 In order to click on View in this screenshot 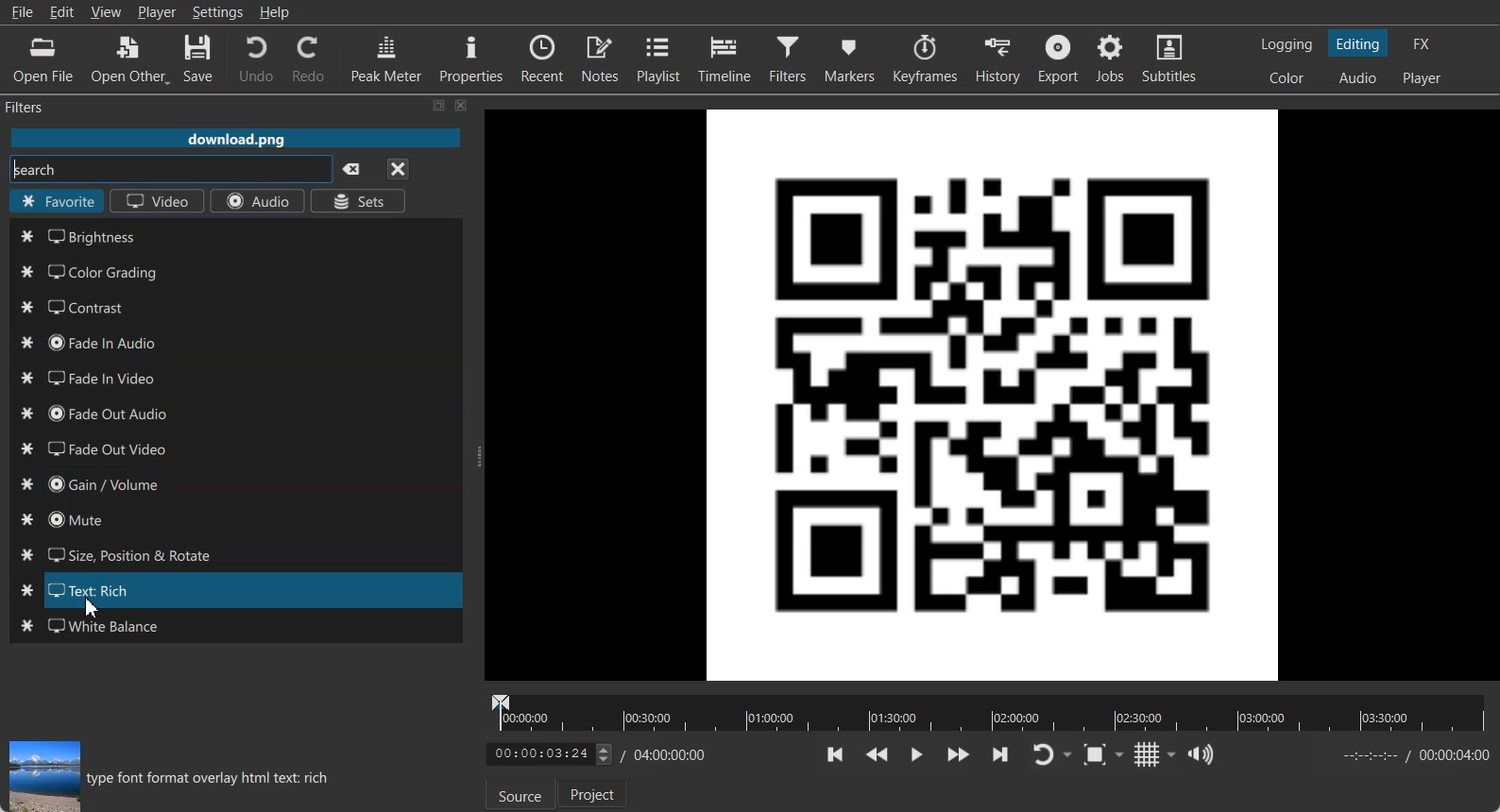, I will do `click(106, 11)`.